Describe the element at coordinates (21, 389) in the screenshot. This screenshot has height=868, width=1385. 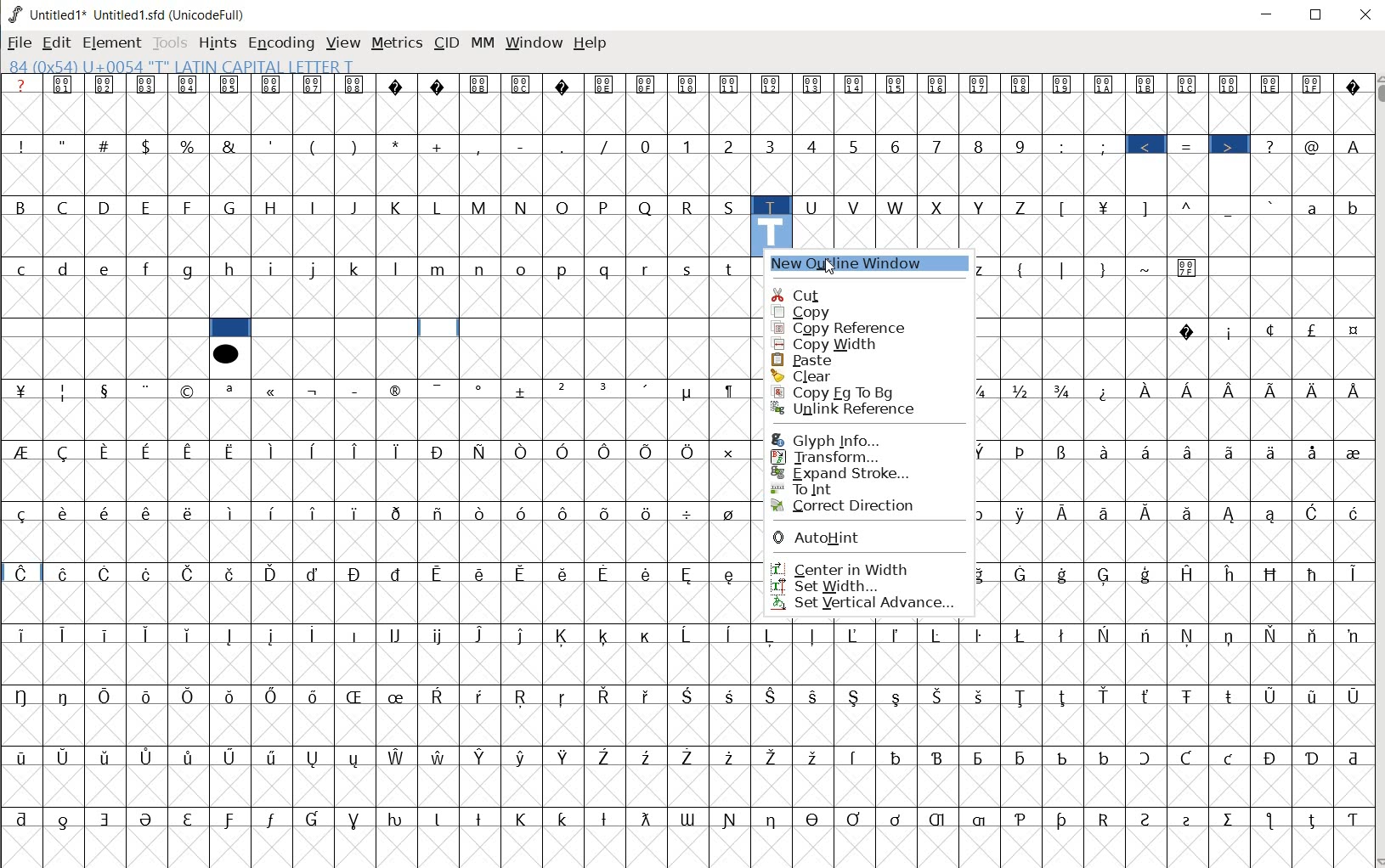
I see `Symbol` at that location.